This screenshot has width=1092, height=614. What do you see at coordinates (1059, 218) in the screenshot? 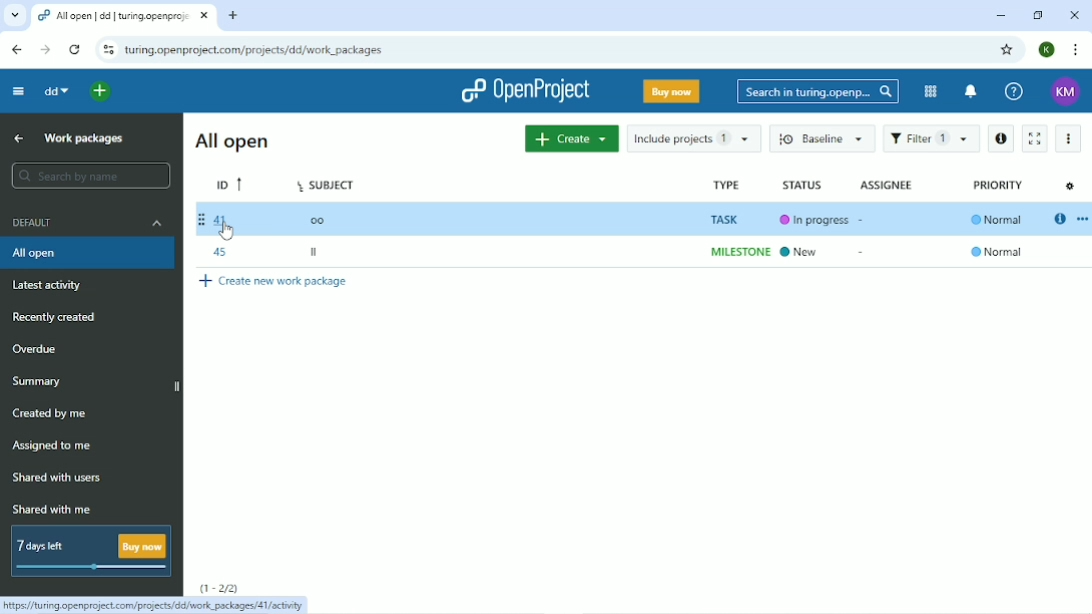
I see `Open details view` at bounding box center [1059, 218].